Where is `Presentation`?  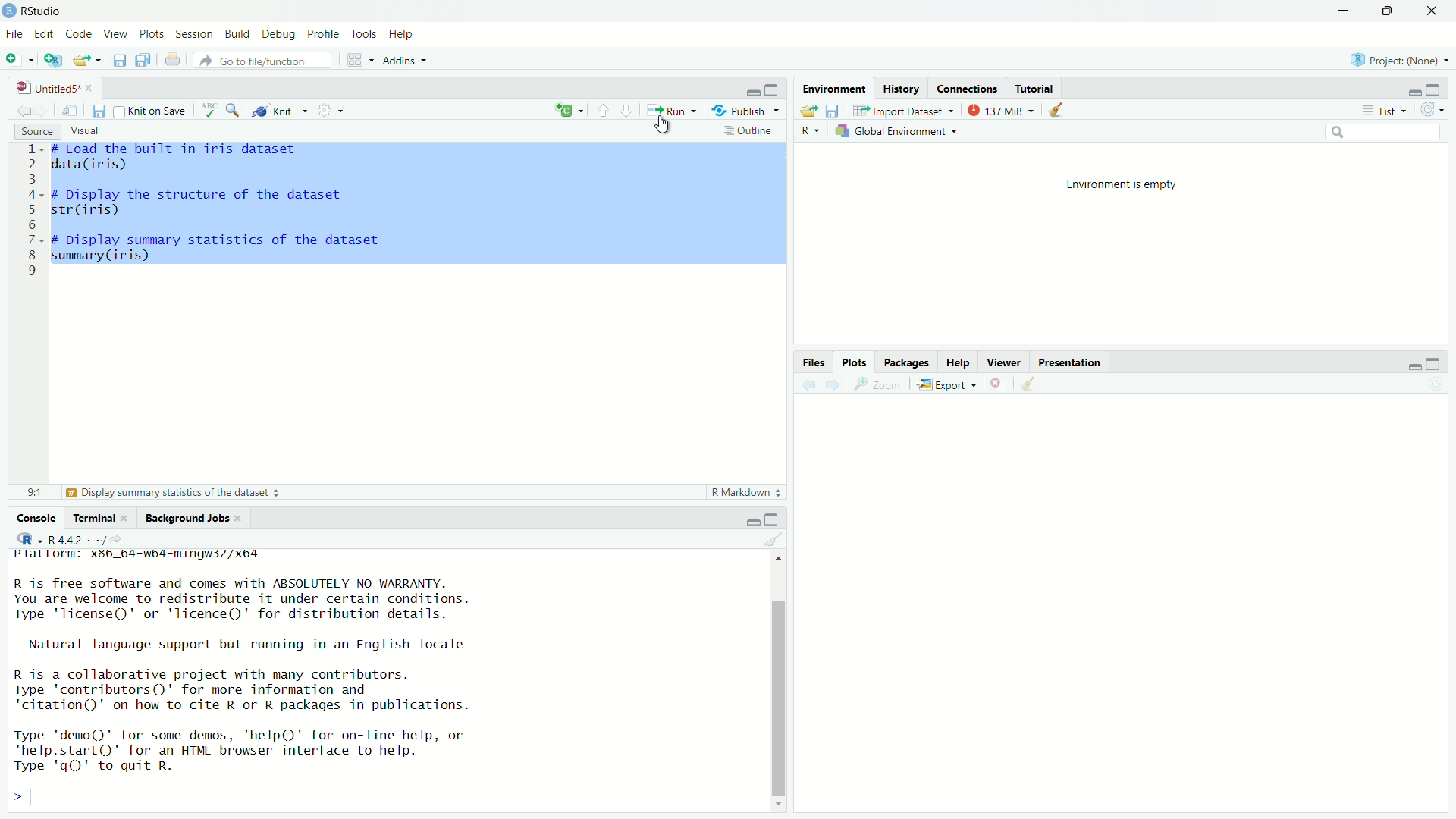
Presentation is located at coordinates (1069, 362).